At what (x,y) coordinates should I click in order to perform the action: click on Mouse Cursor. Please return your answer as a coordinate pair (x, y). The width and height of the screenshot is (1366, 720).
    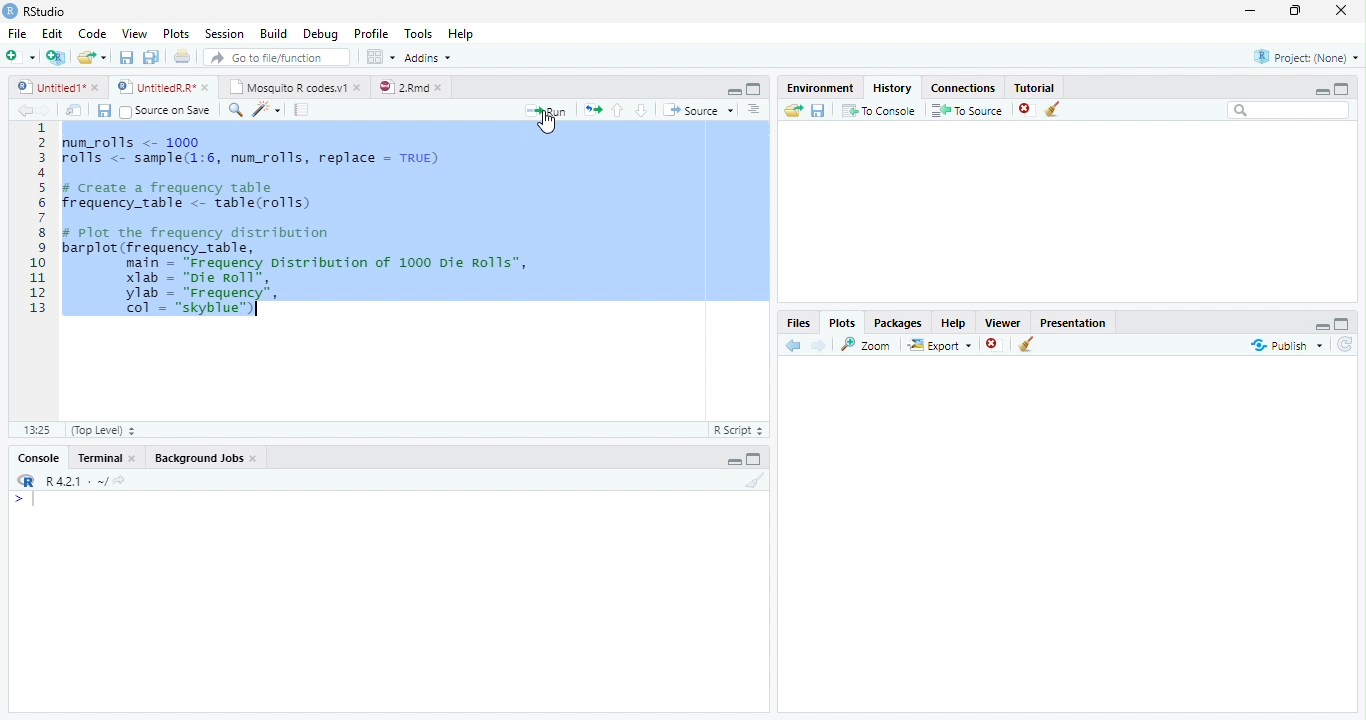
    Looking at the image, I should click on (545, 123).